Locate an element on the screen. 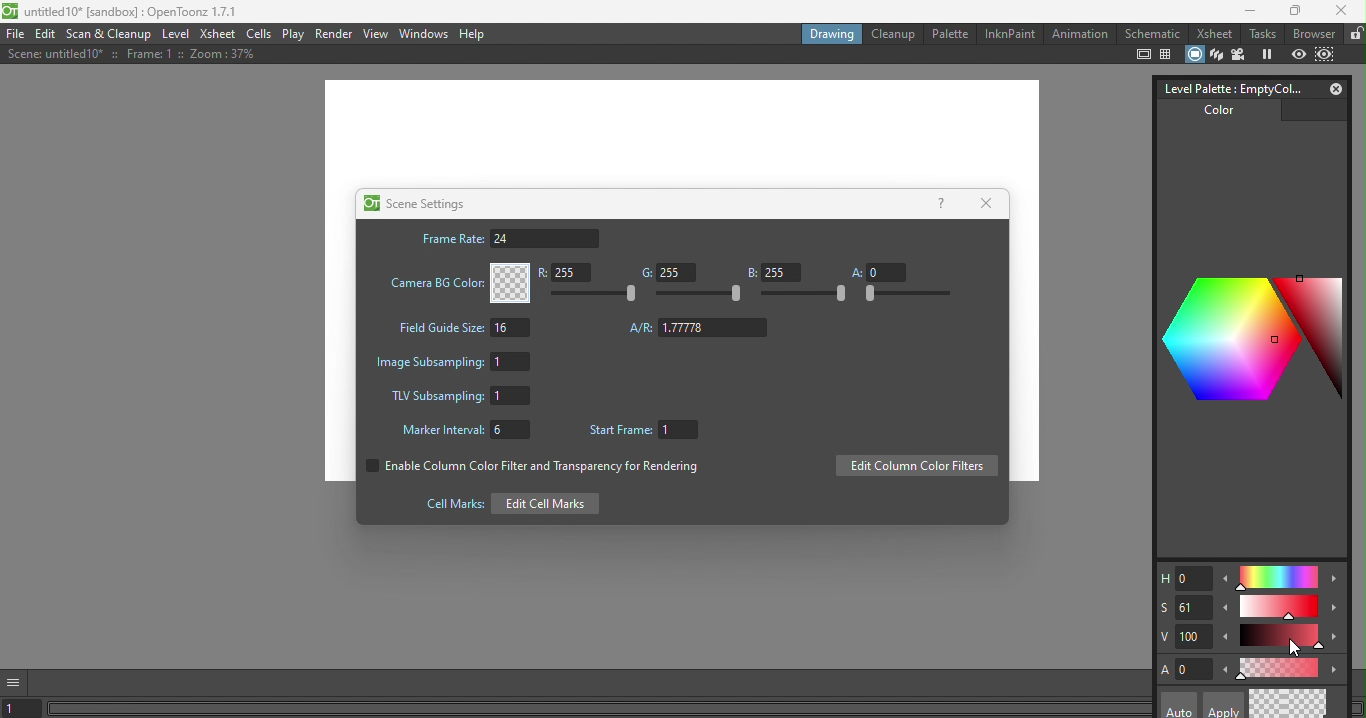 The width and height of the screenshot is (1366, 718). close is located at coordinates (1344, 13).